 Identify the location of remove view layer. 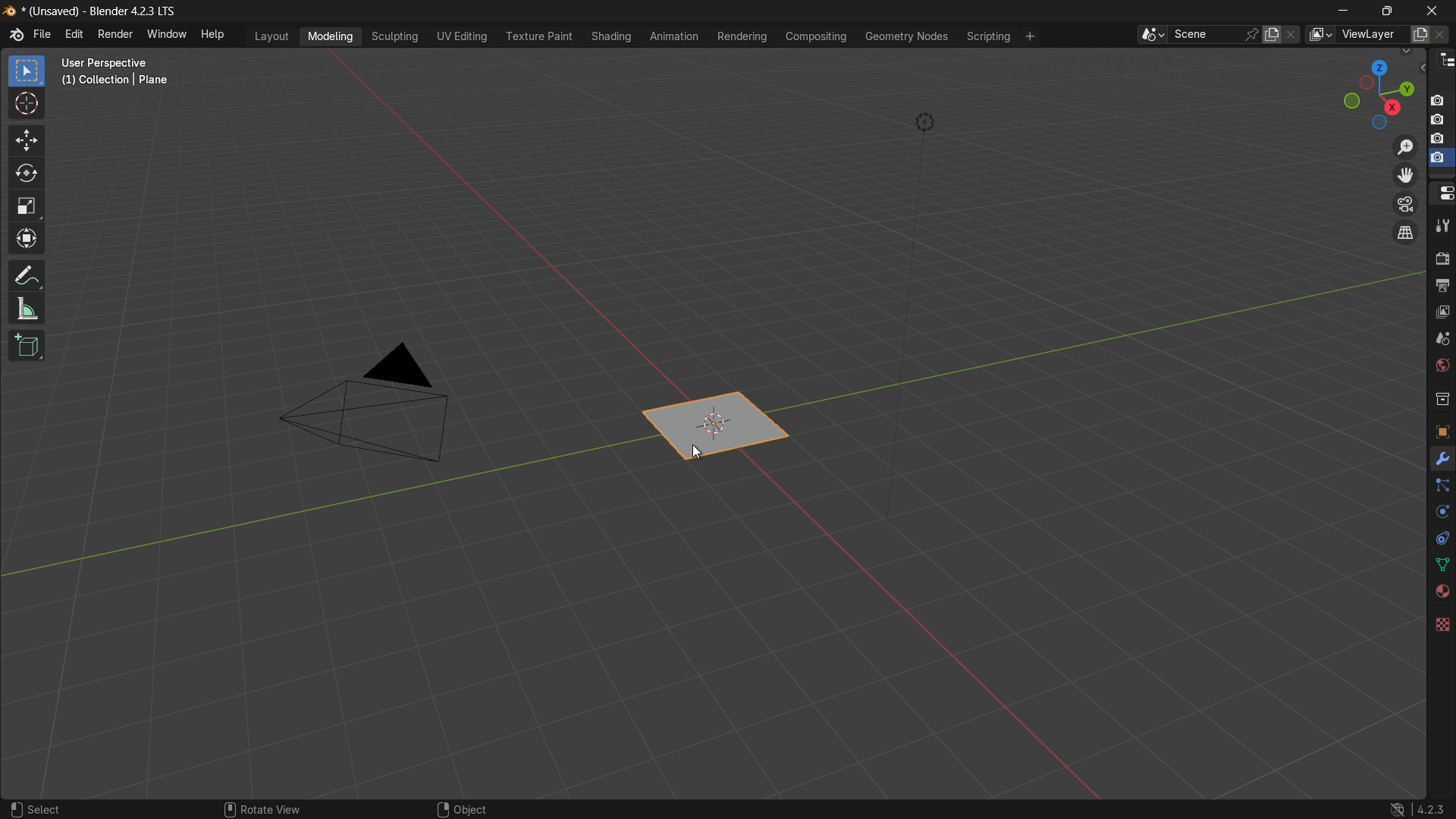
(1442, 36).